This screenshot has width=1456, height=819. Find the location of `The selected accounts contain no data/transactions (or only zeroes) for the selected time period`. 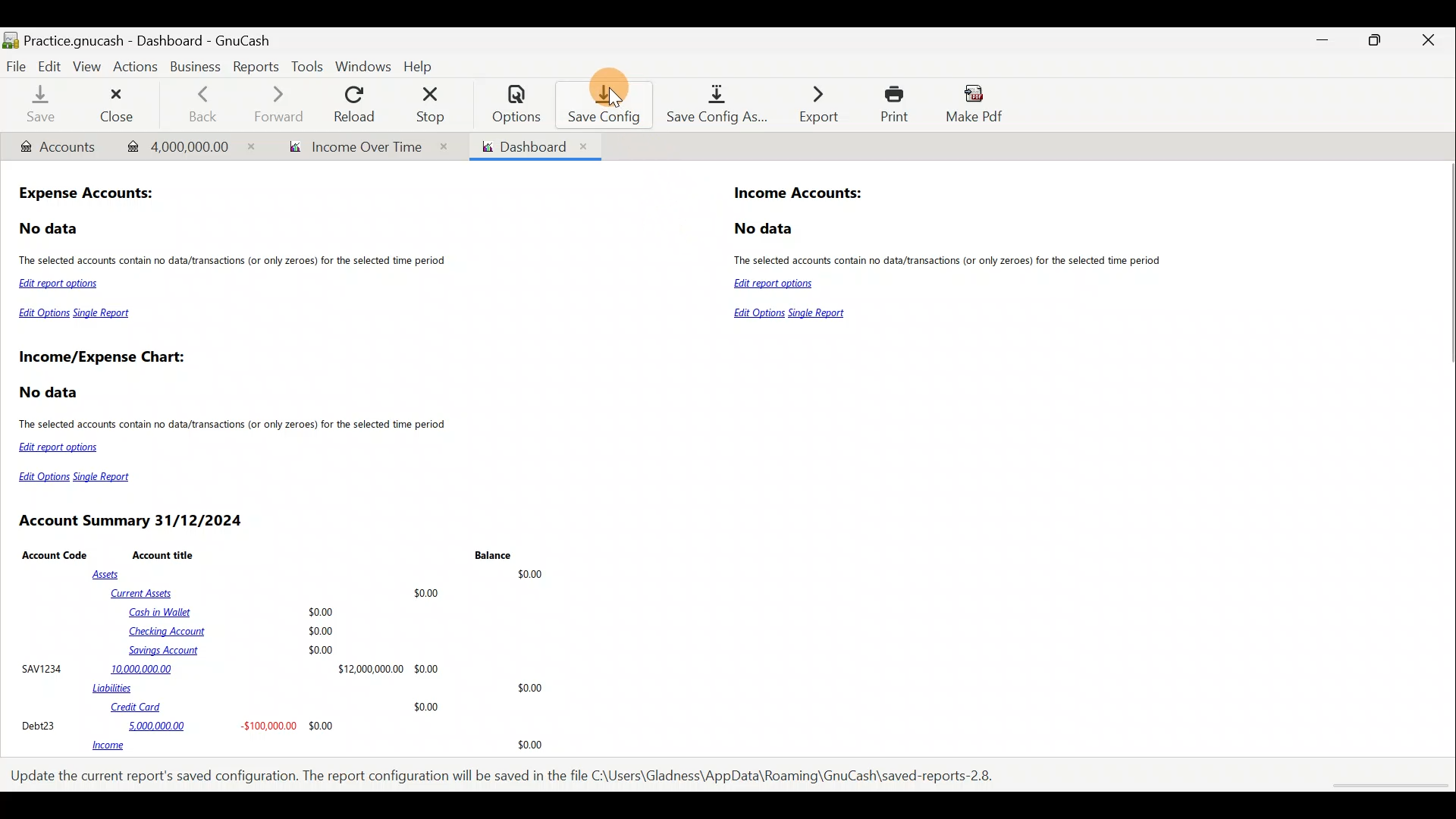

The selected accounts contain no data/transactions (or only zeroes) for the selected time period is located at coordinates (235, 262).